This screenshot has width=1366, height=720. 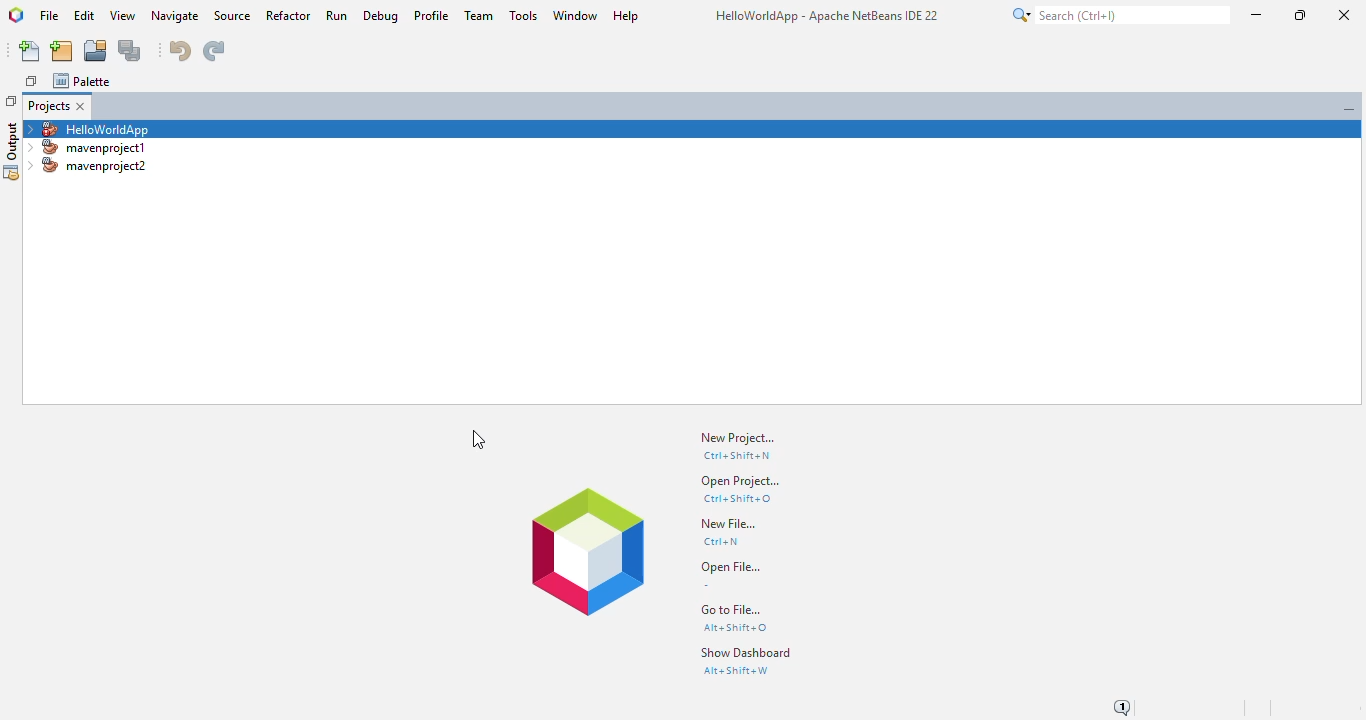 I want to click on close, so click(x=1341, y=17).